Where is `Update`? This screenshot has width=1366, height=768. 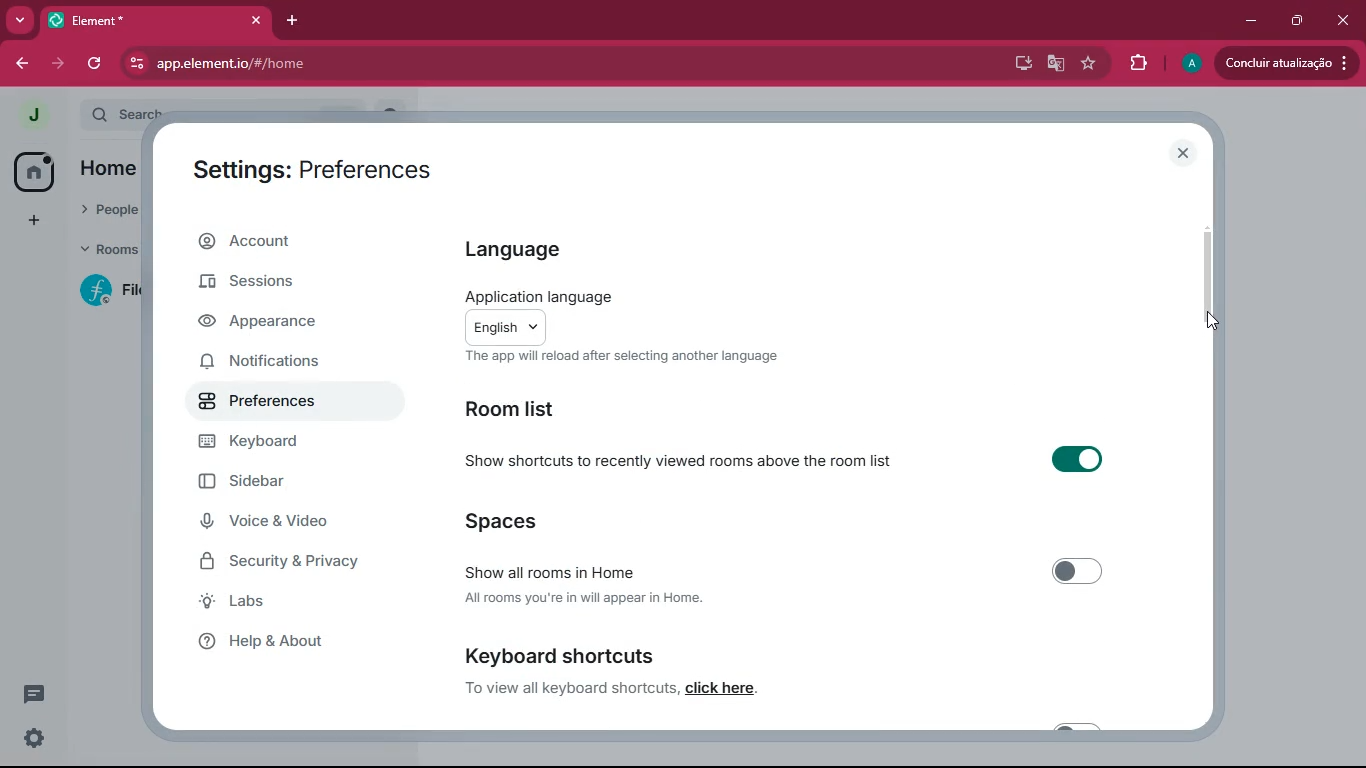
Update is located at coordinates (1289, 63).